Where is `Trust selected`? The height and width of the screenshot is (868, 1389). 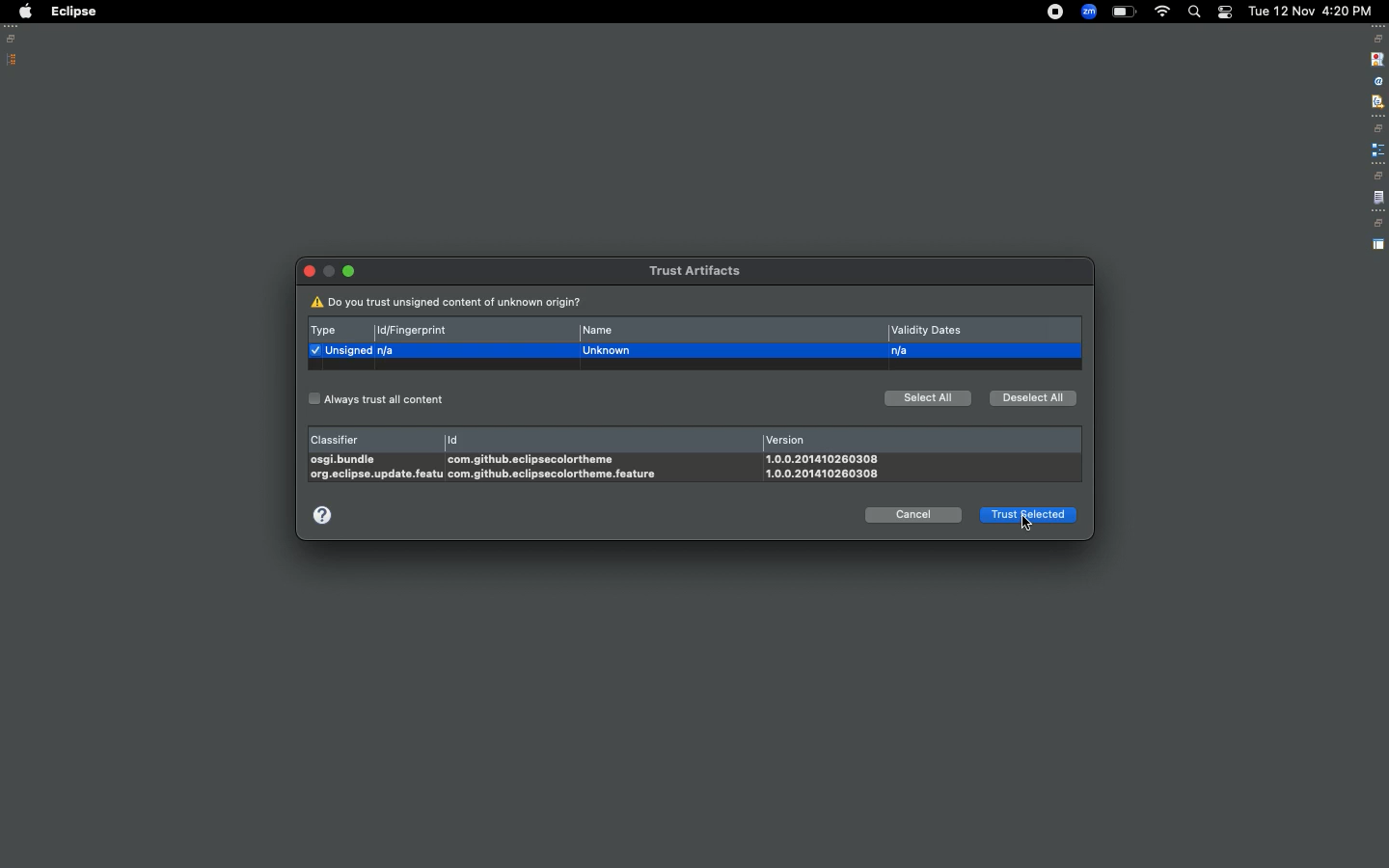
Trust selected is located at coordinates (1026, 514).